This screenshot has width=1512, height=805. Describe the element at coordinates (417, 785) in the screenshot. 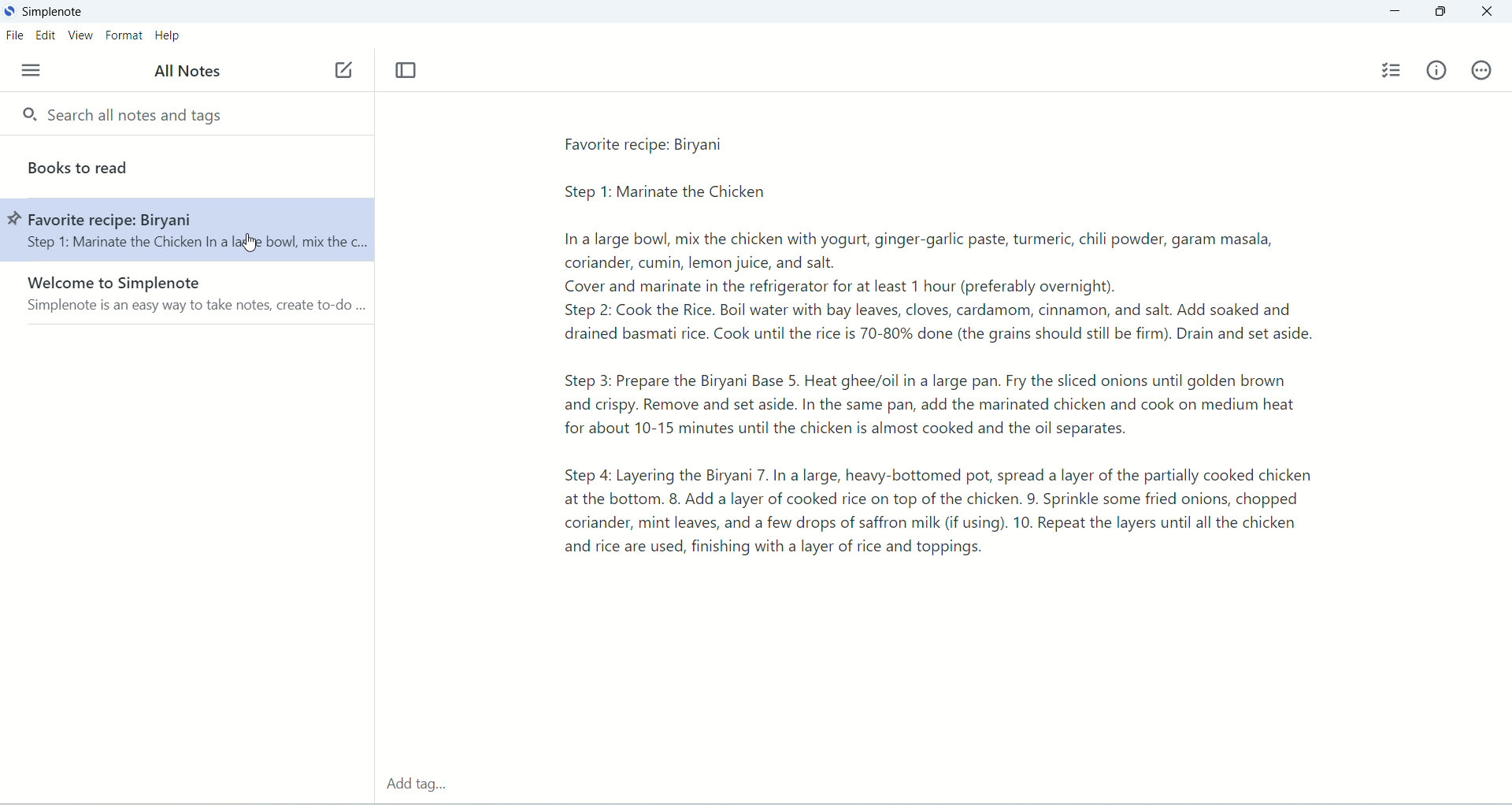

I see `add tags` at that location.